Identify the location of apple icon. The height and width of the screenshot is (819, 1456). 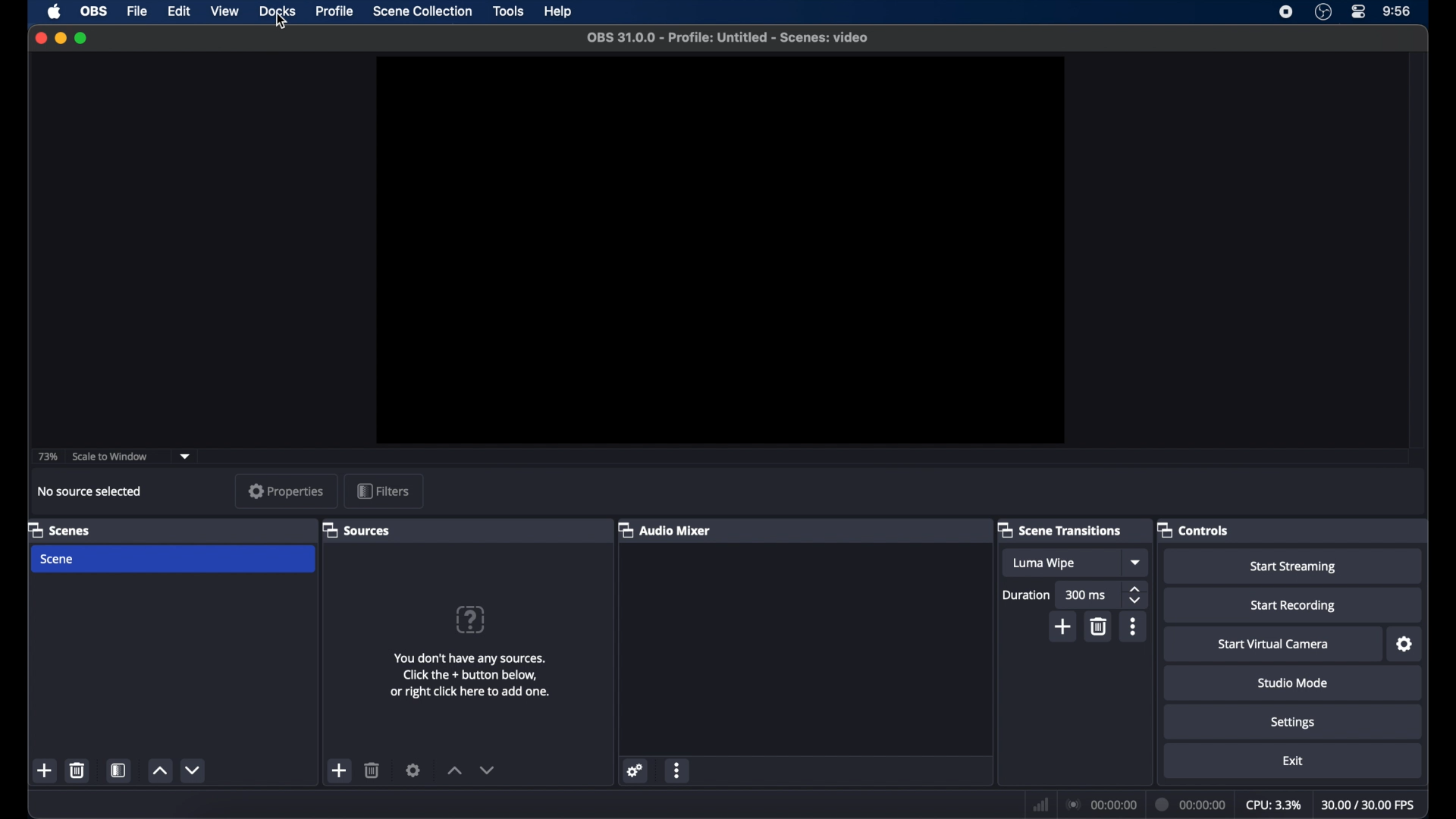
(55, 11).